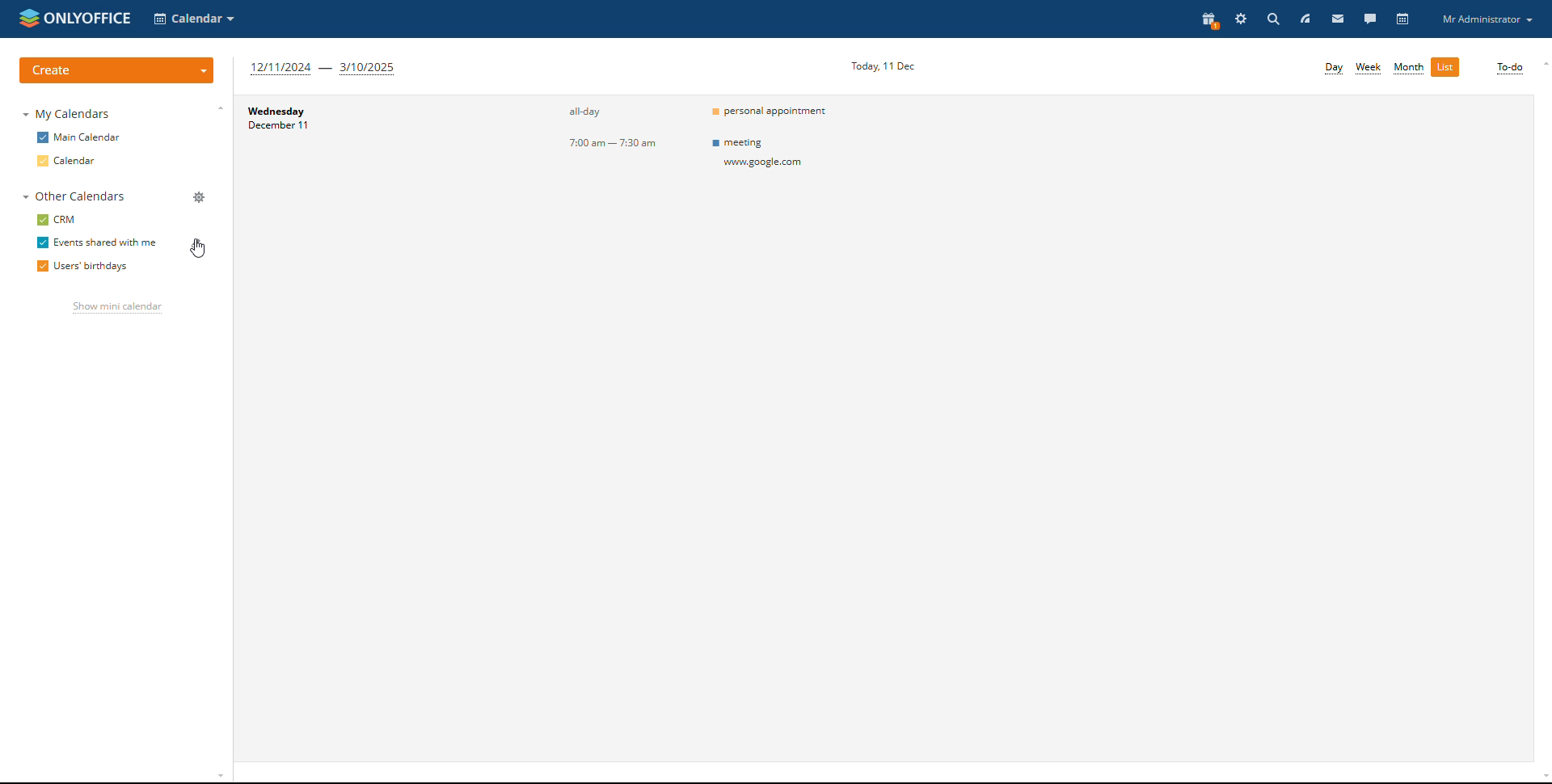 The width and height of the screenshot is (1552, 784). Describe the element at coordinates (1369, 68) in the screenshot. I see `week view` at that location.